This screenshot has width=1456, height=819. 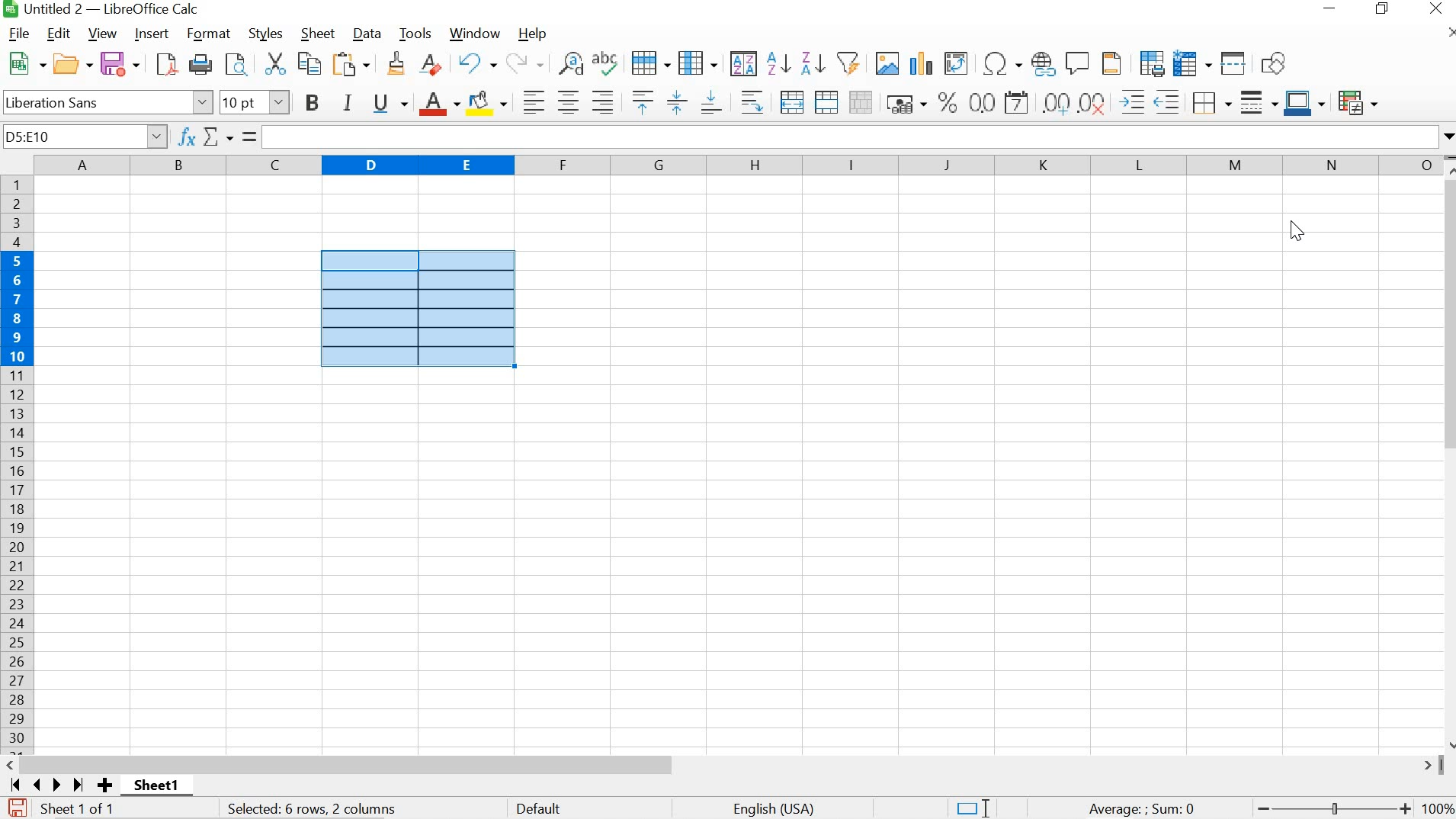 I want to click on BACKGROUND COLOR, so click(x=488, y=102).